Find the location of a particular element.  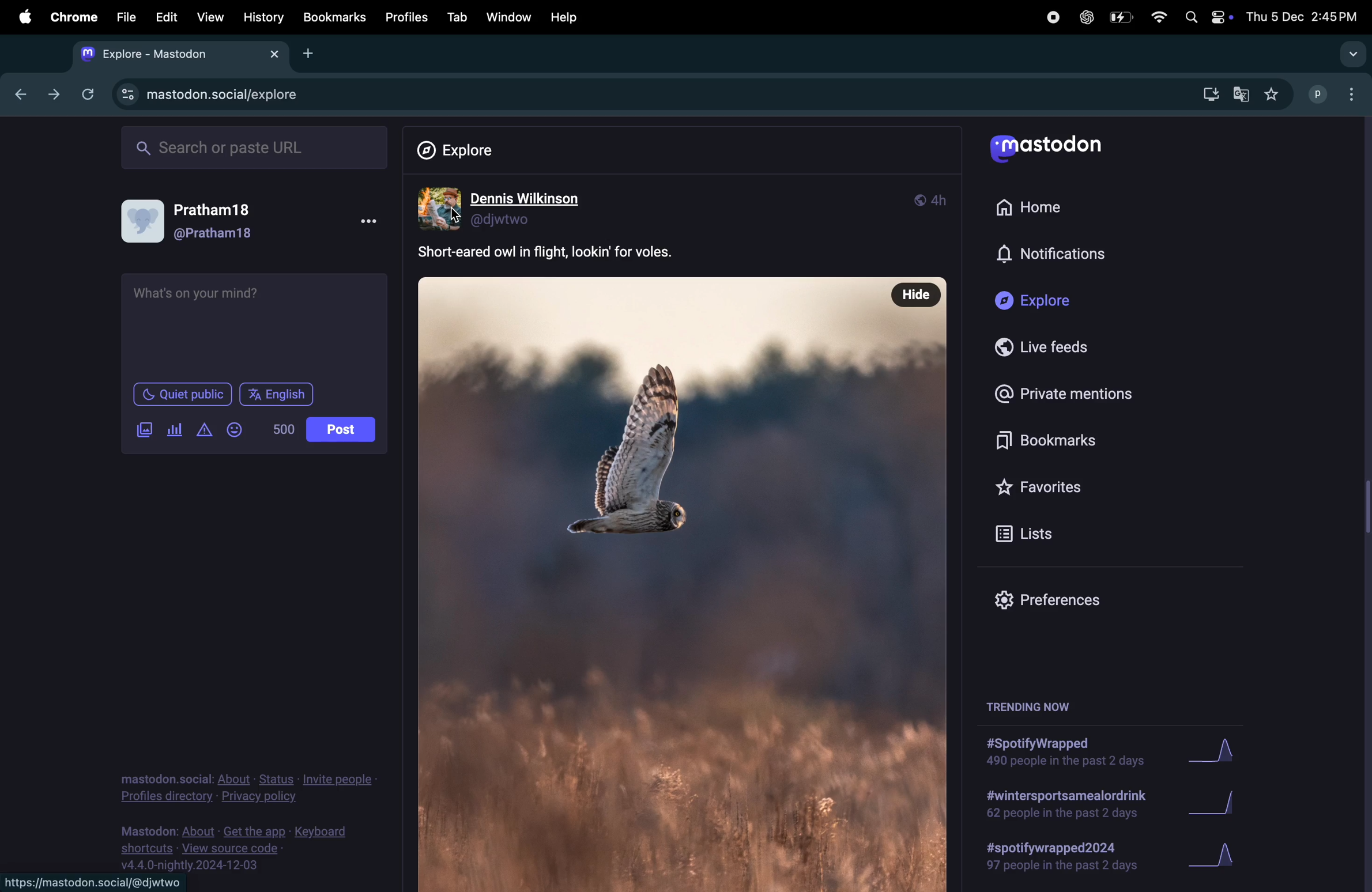

prefrences is located at coordinates (1049, 602).